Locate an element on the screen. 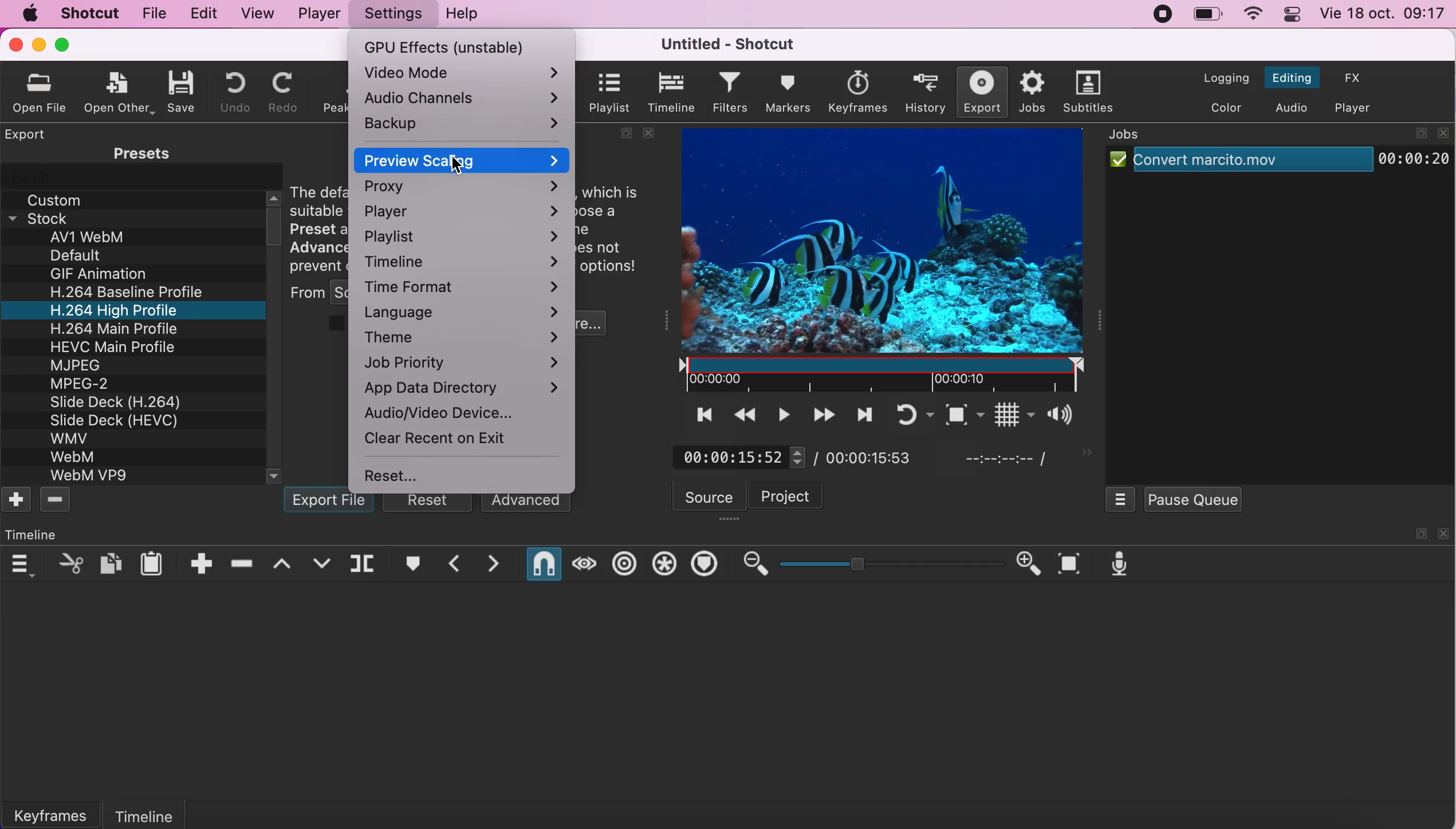 The height and width of the screenshot is (829, 1456). proxy is located at coordinates (464, 188).